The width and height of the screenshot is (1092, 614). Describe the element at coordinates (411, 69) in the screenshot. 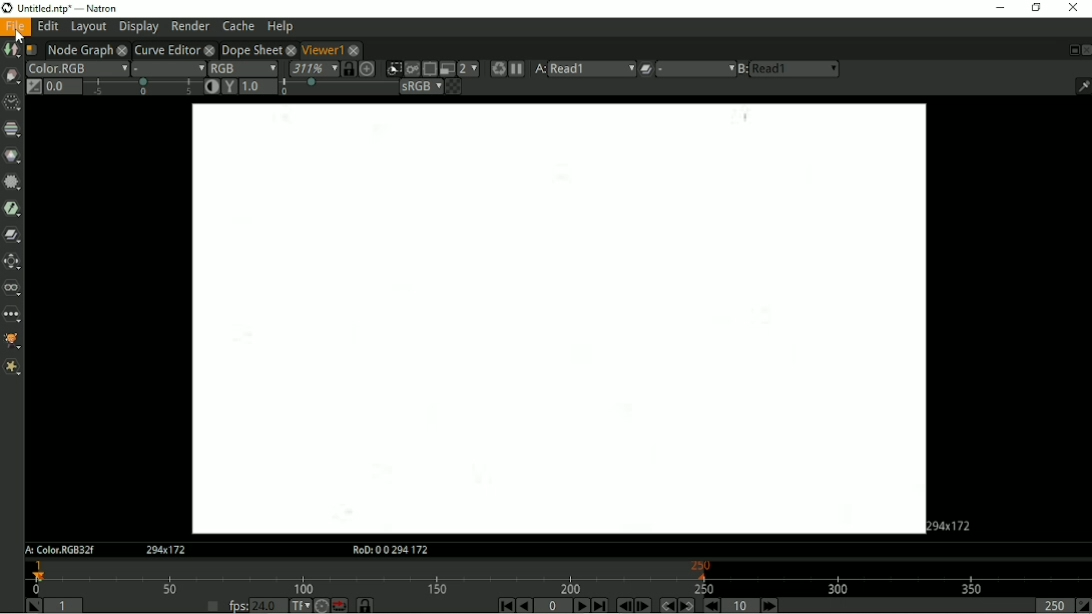

I see `Render image` at that location.